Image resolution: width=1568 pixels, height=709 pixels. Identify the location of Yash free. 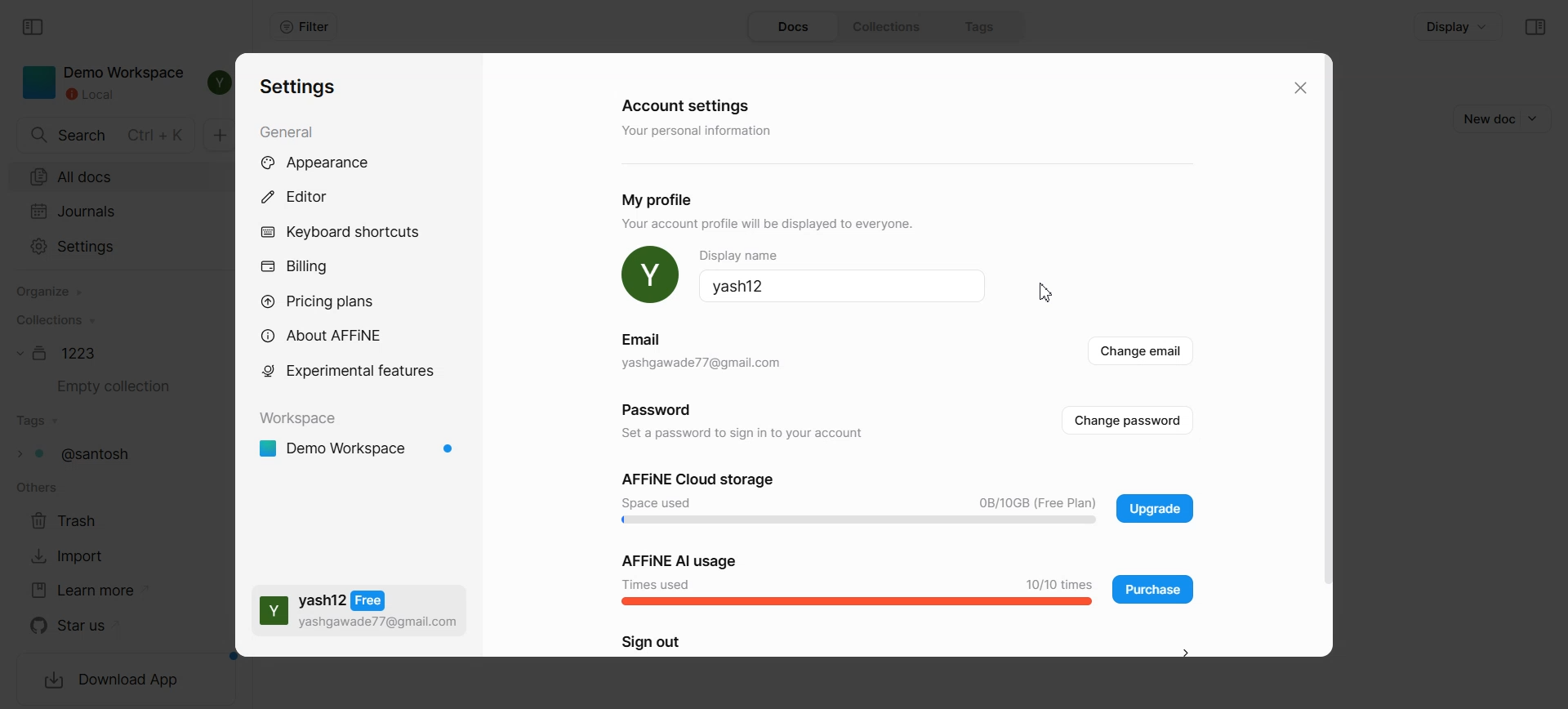
(359, 609).